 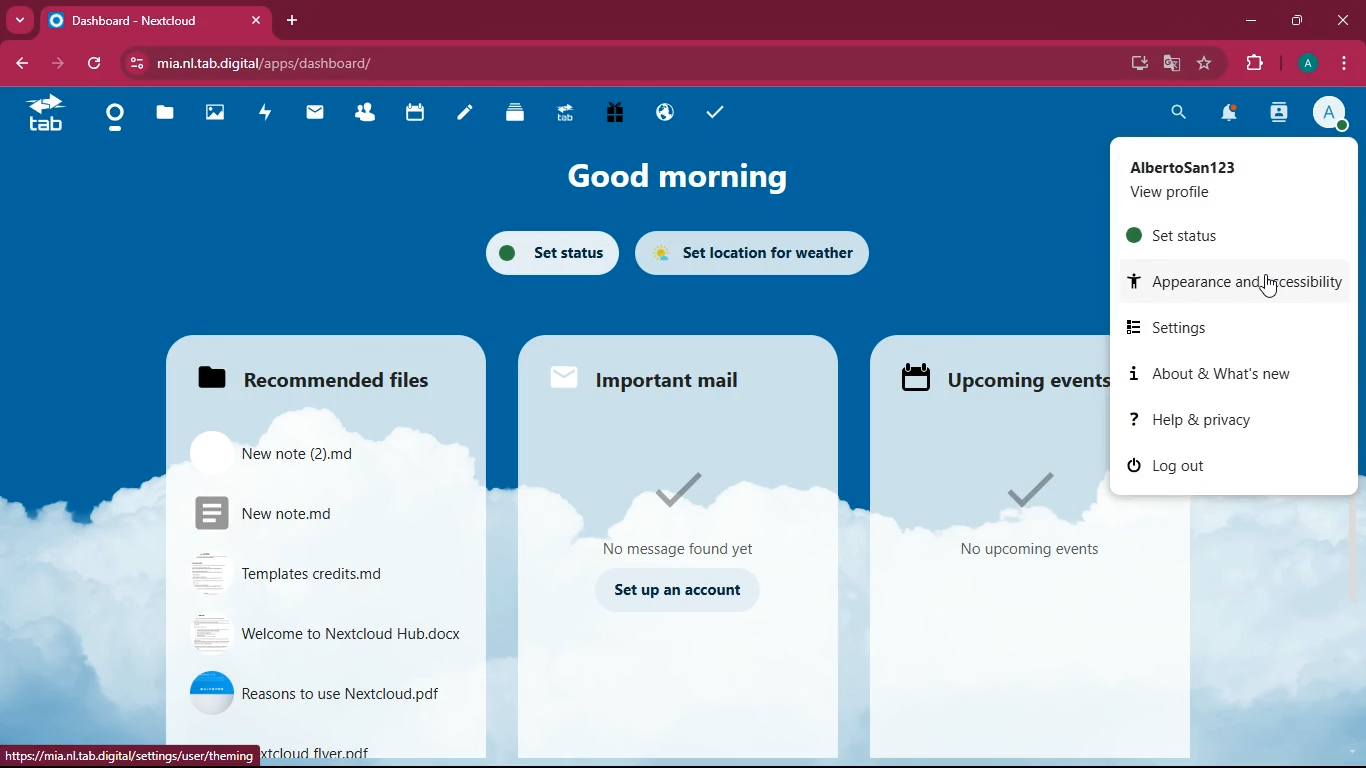 What do you see at coordinates (757, 252) in the screenshot?
I see `set location` at bounding box center [757, 252].